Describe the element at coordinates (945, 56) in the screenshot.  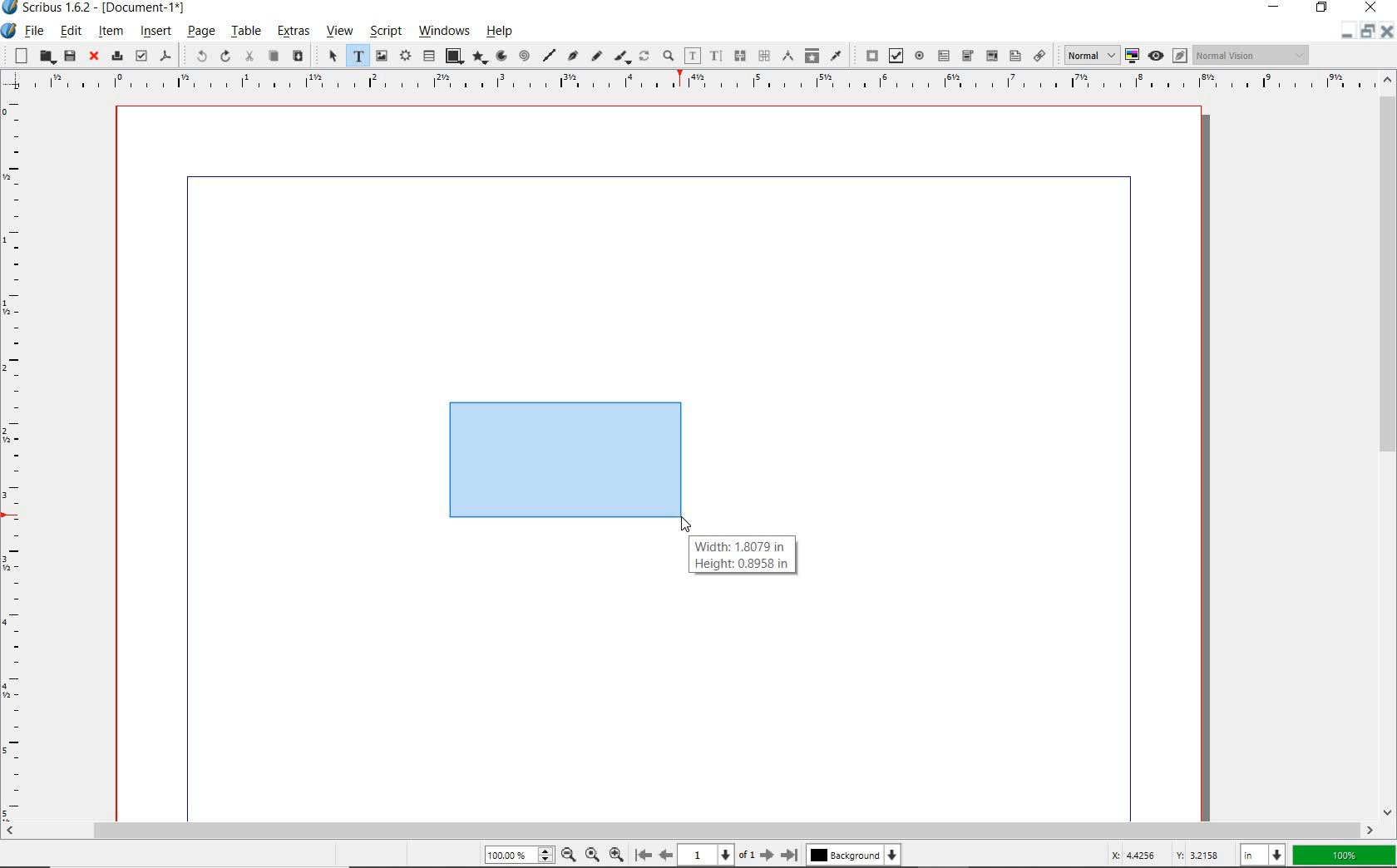
I see `pdf text field` at that location.